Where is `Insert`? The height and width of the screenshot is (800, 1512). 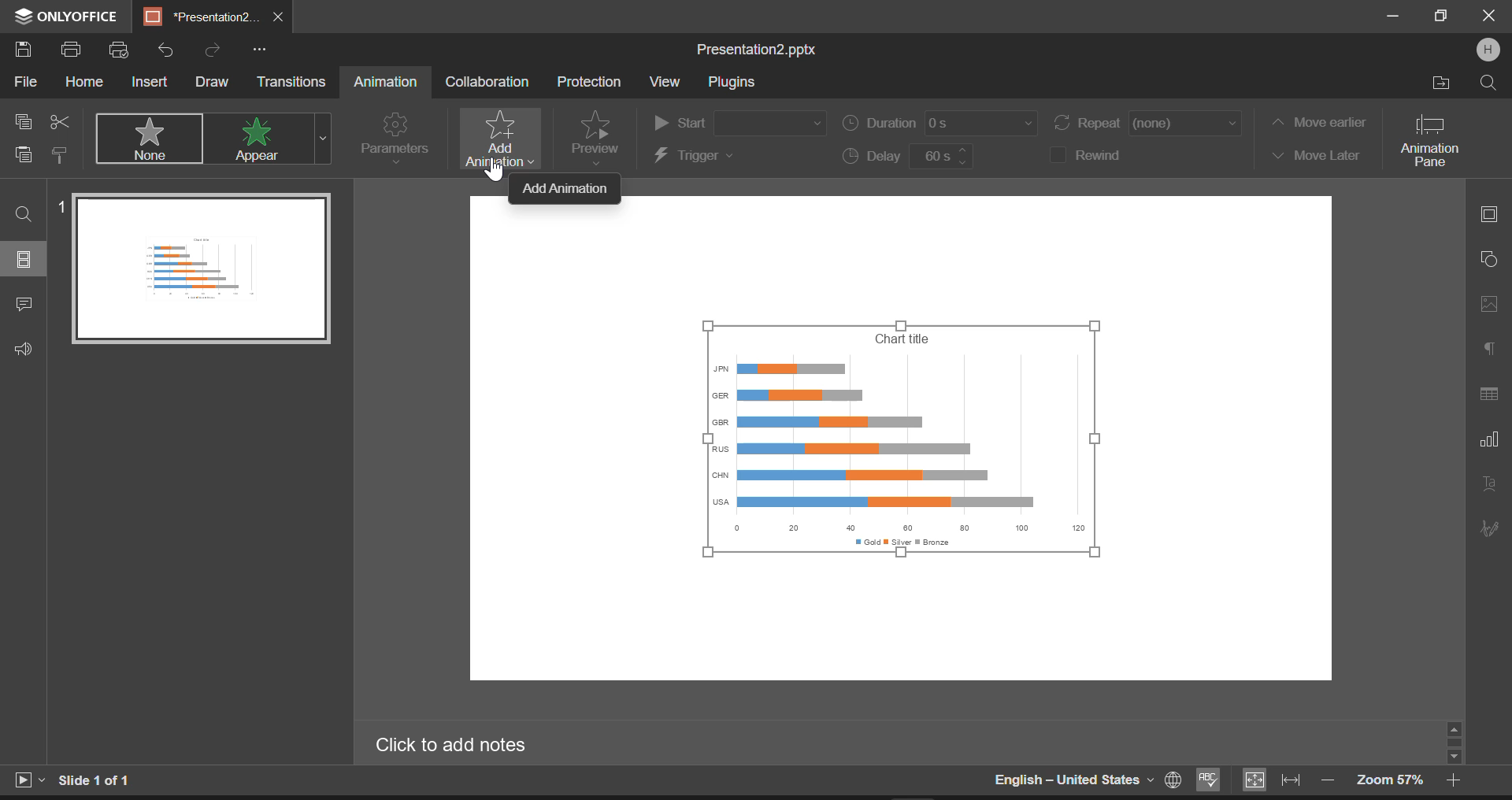
Insert is located at coordinates (150, 80).